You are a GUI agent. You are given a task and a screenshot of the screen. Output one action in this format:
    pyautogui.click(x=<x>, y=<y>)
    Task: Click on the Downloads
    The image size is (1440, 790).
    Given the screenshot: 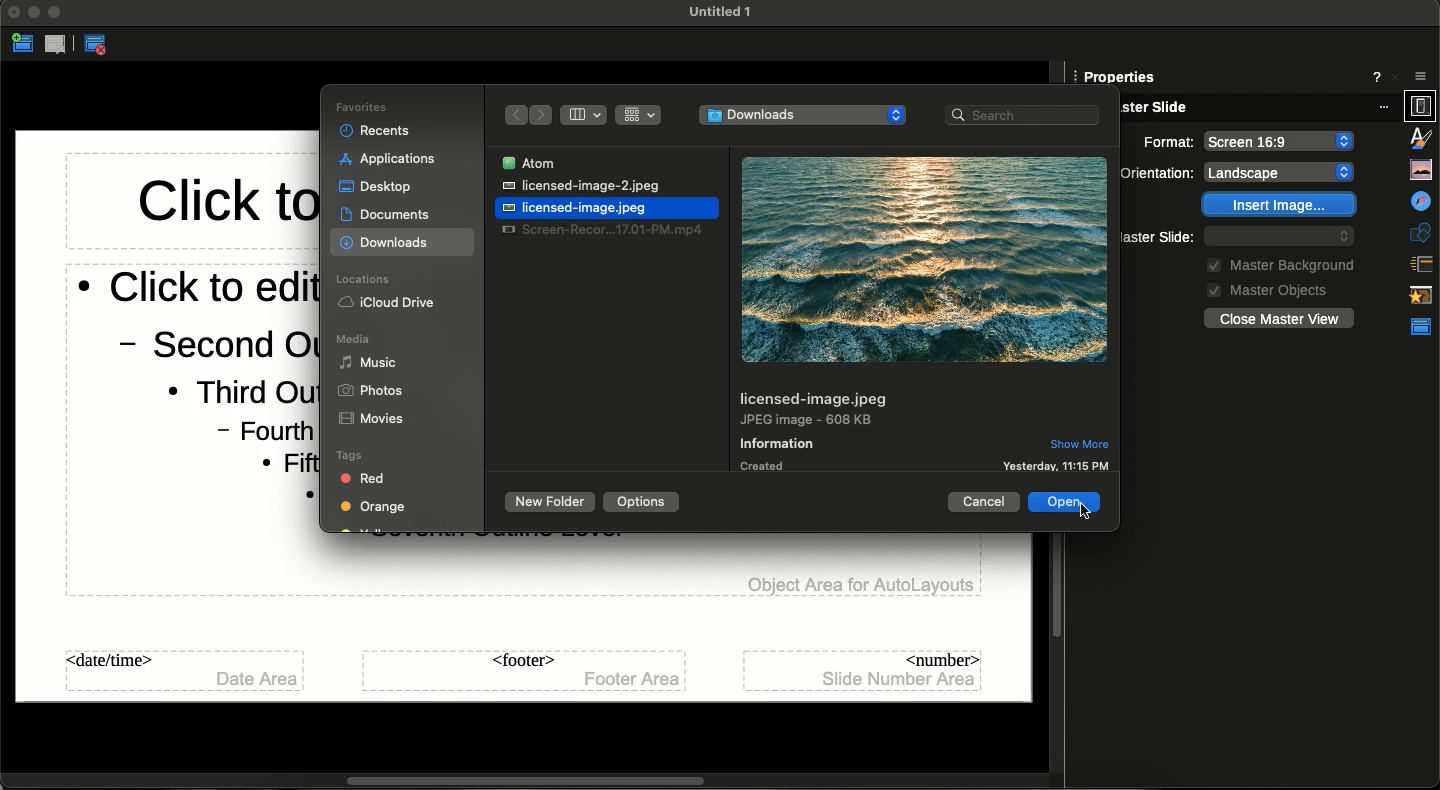 What is the action you would take?
    pyautogui.click(x=384, y=245)
    